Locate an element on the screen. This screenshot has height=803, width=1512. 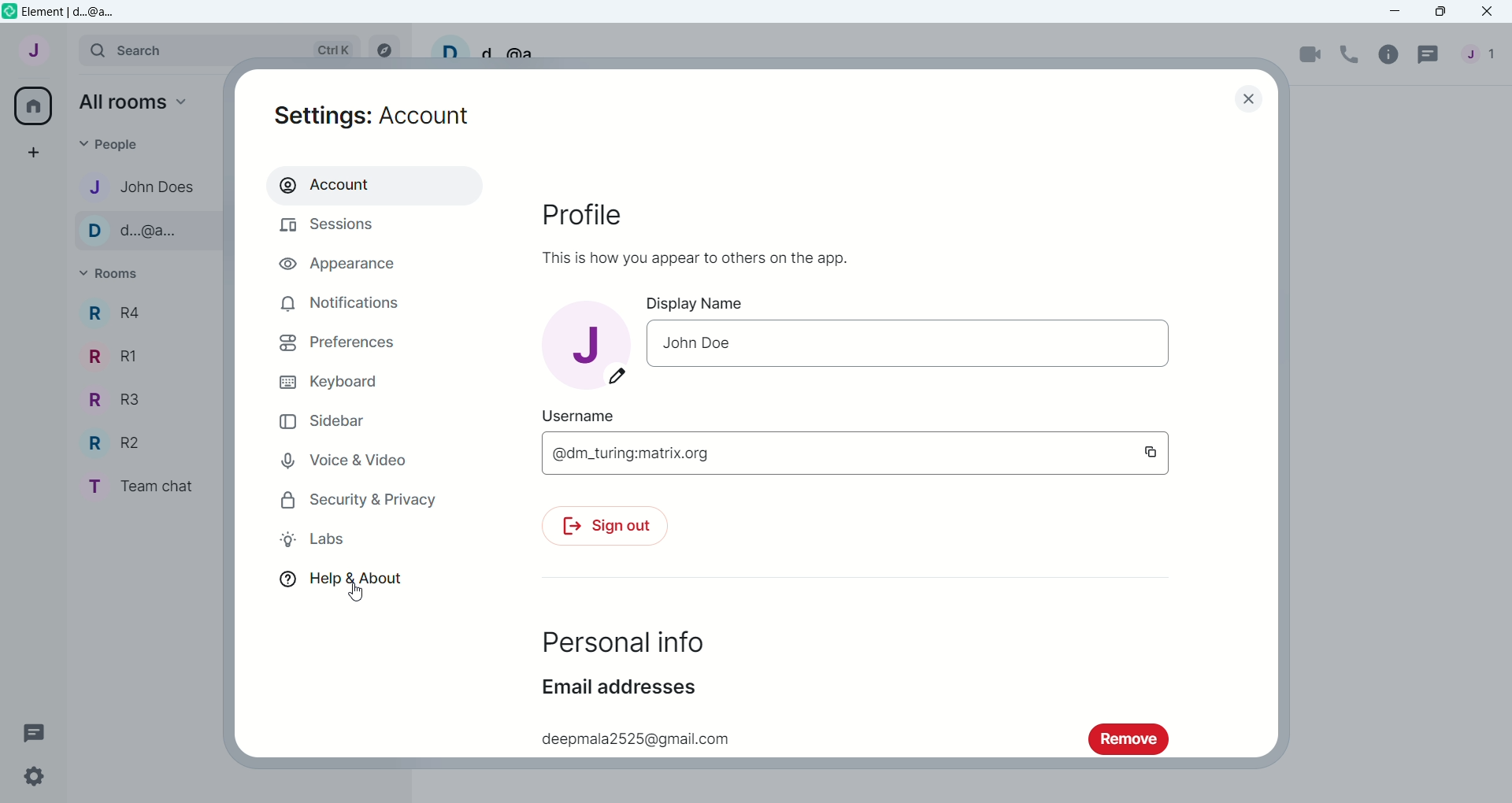
Close is located at coordinates (1253, 98).